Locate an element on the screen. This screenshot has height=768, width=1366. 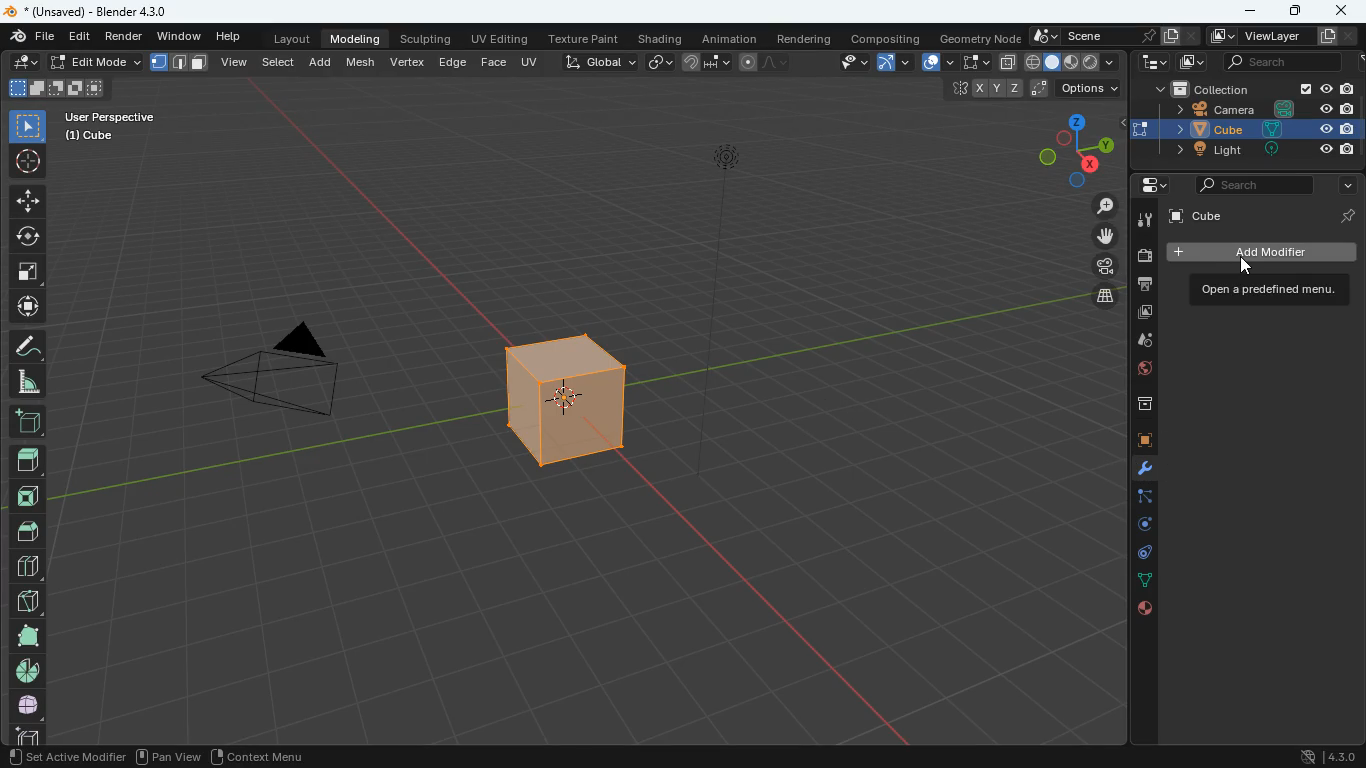
compositing is located at coordinates (887, 36).